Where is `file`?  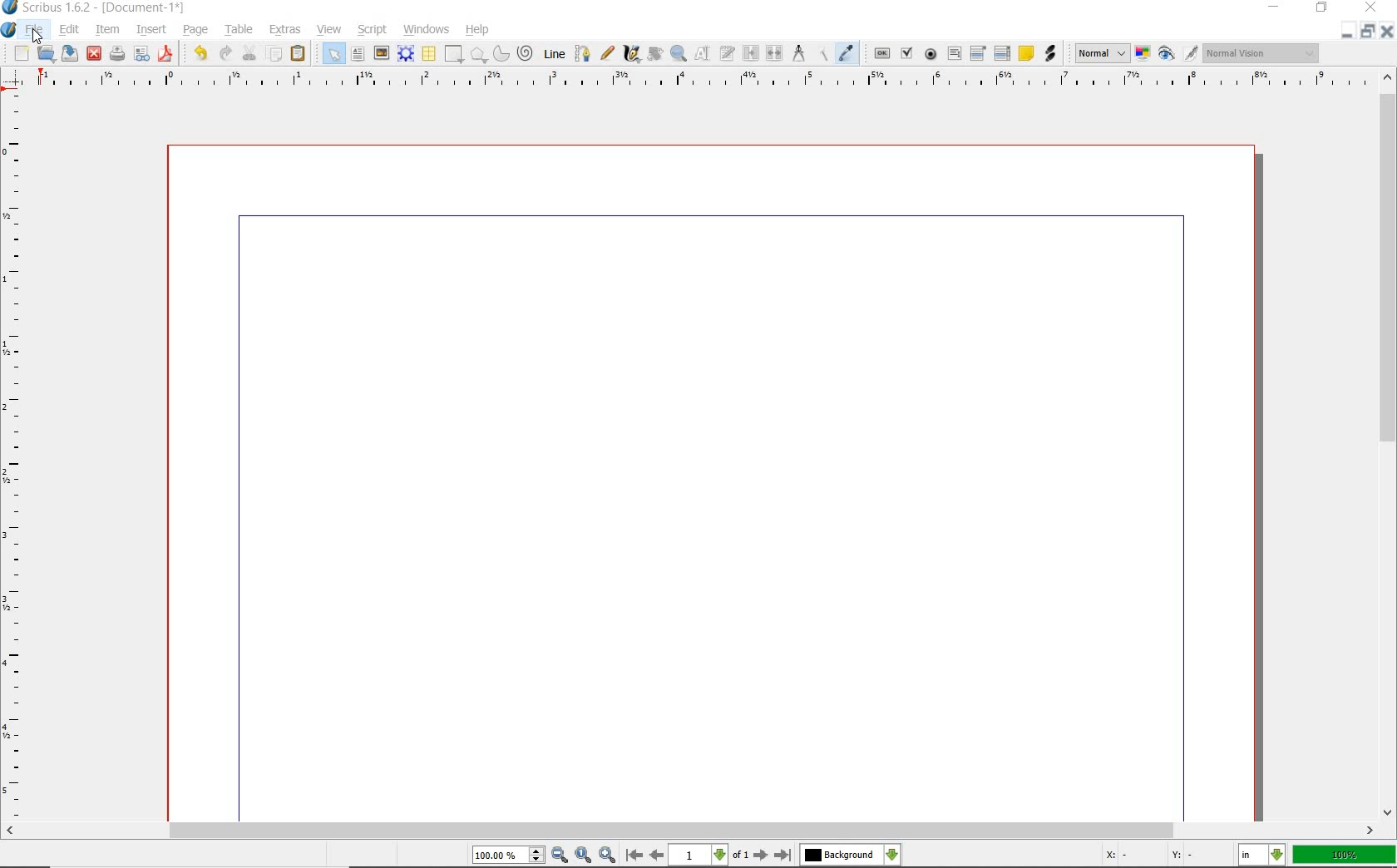 file is located at coordinates (38, 31).